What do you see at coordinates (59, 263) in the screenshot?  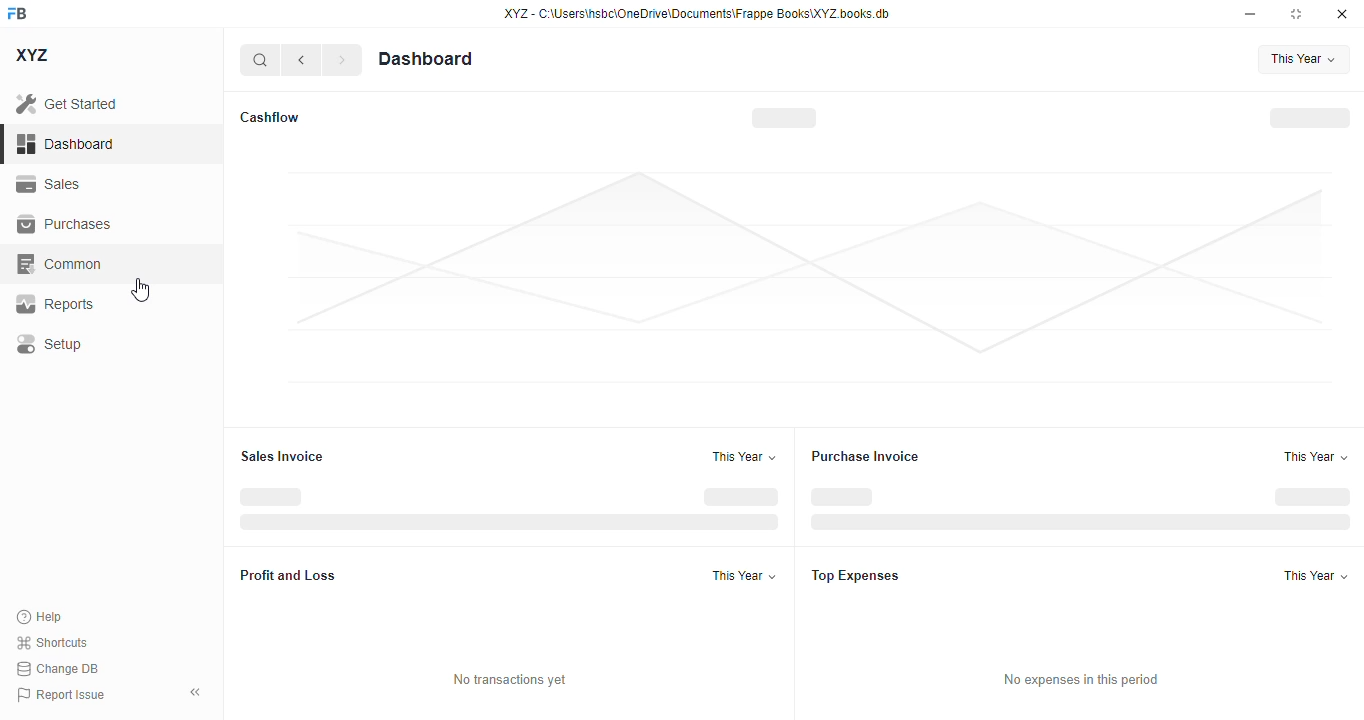 I see `common` at bounding box center [59, 263].